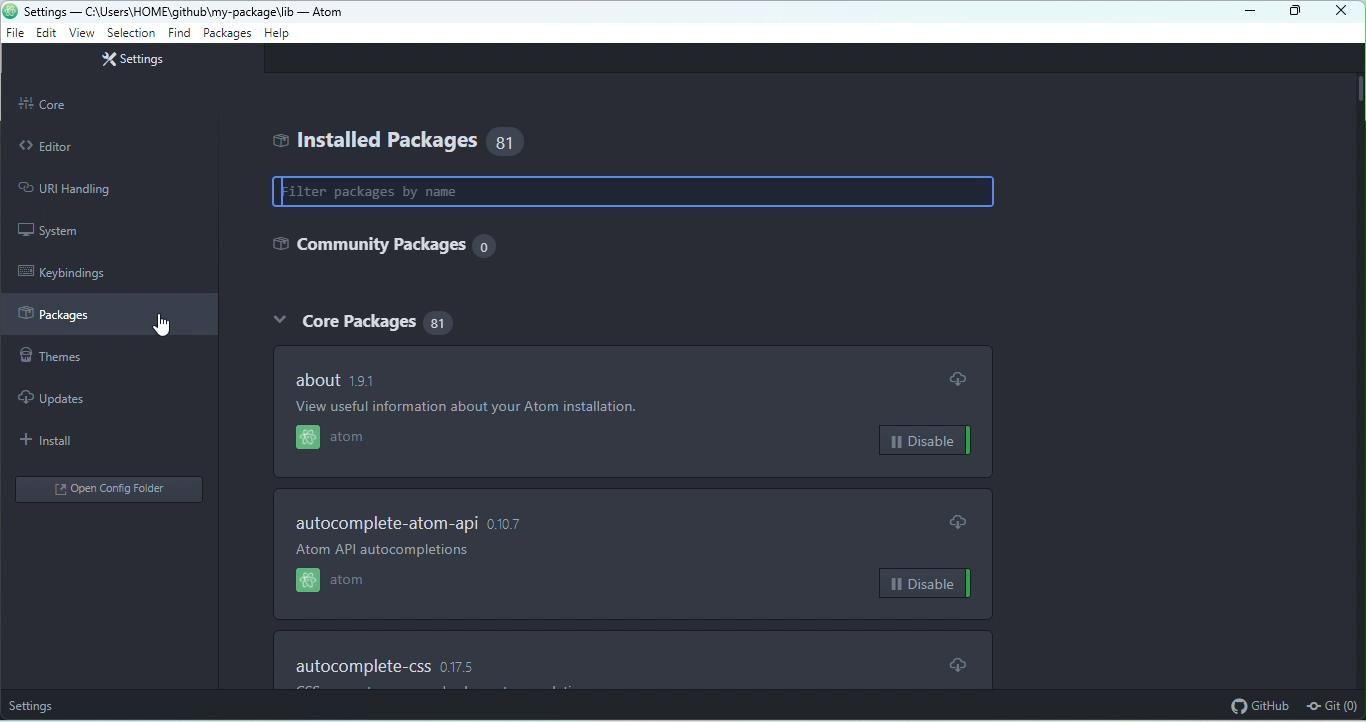  Describe the element at coordinates (342, 320) in the screenshot. I see `core packages` at that location.